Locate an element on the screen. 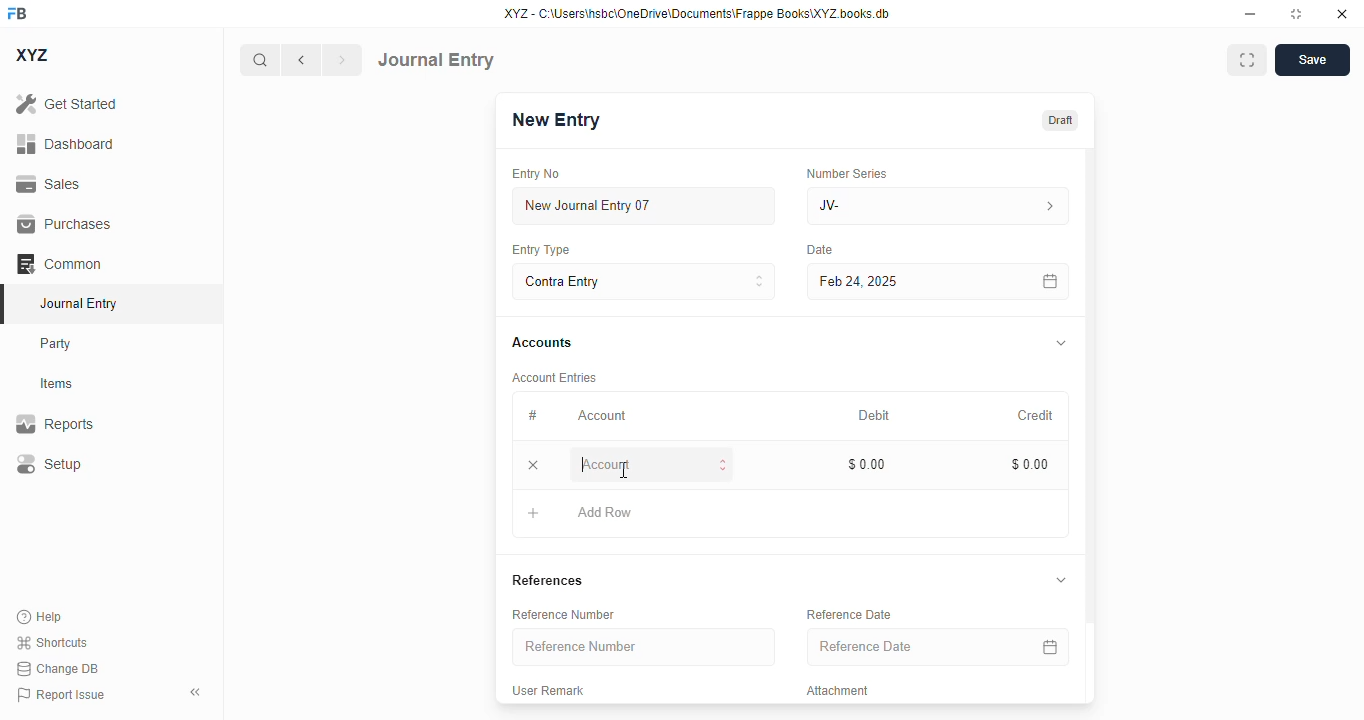 The height and width of the screenshot is (720, 1364). minimize is located at coordinates (1251, 14).